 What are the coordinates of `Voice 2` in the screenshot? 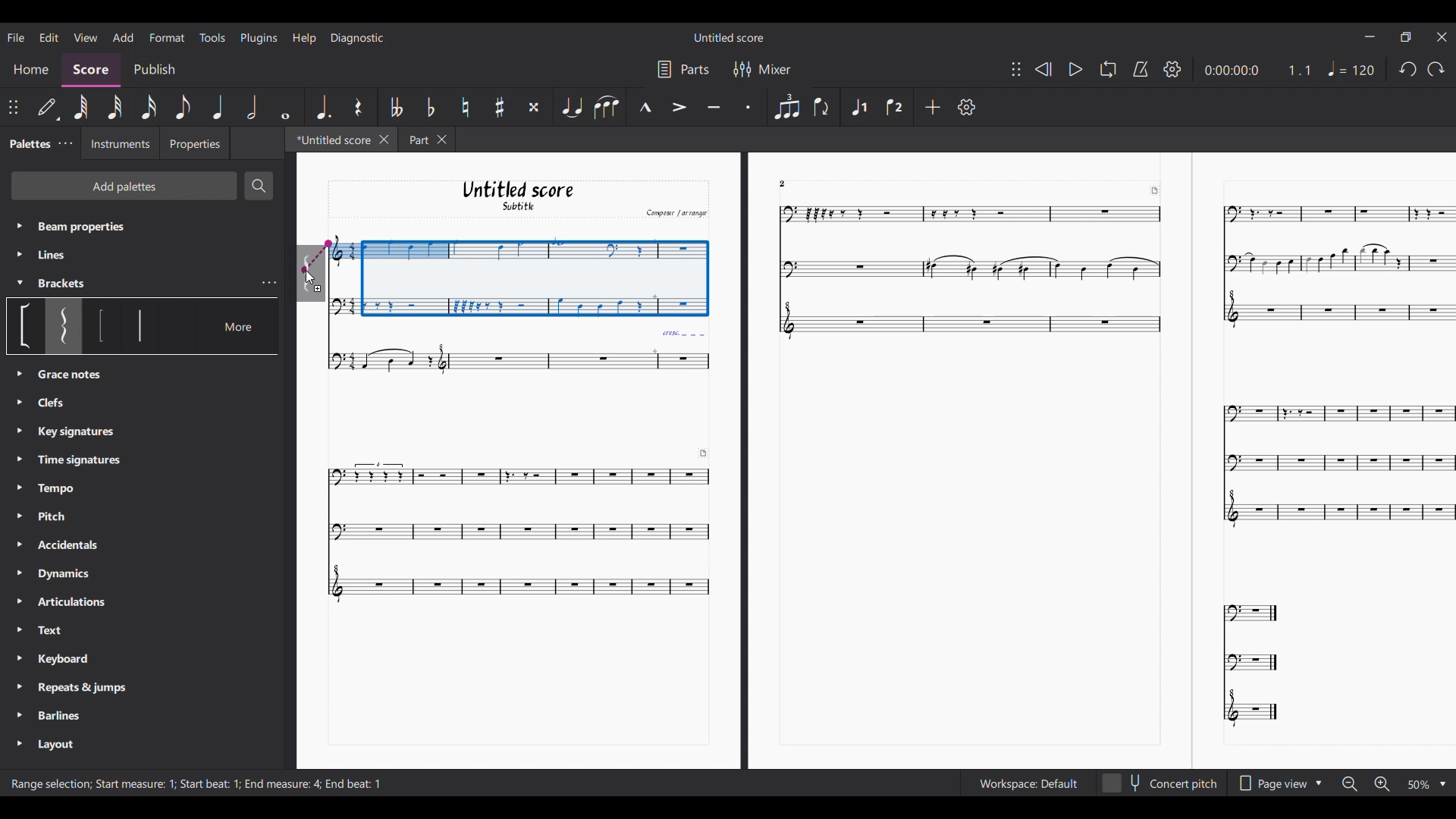 It's located at (893, 107).